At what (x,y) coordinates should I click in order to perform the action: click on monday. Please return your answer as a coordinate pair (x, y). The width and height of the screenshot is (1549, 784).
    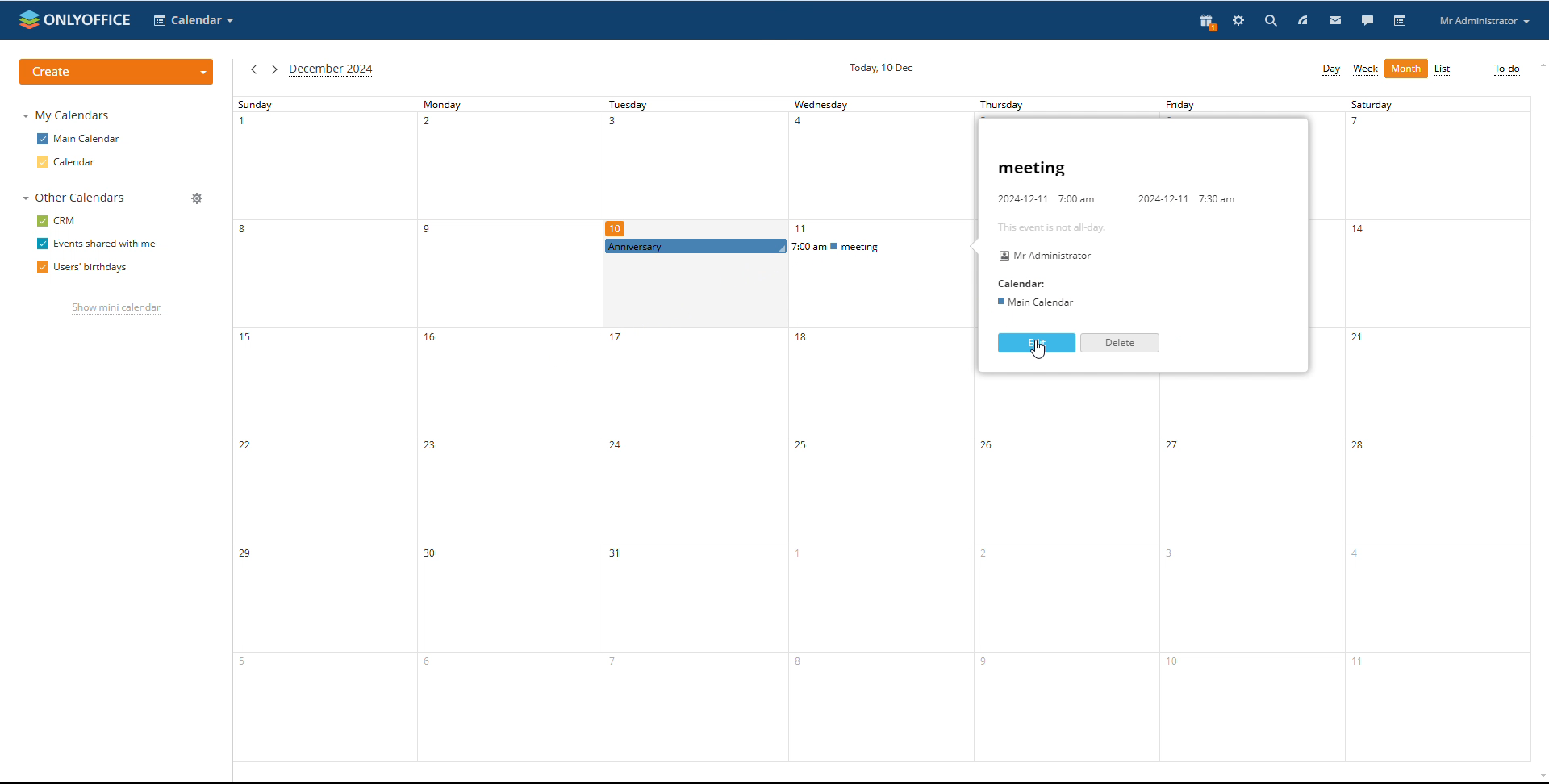
    Looking at the image, I should click on (505, 429).